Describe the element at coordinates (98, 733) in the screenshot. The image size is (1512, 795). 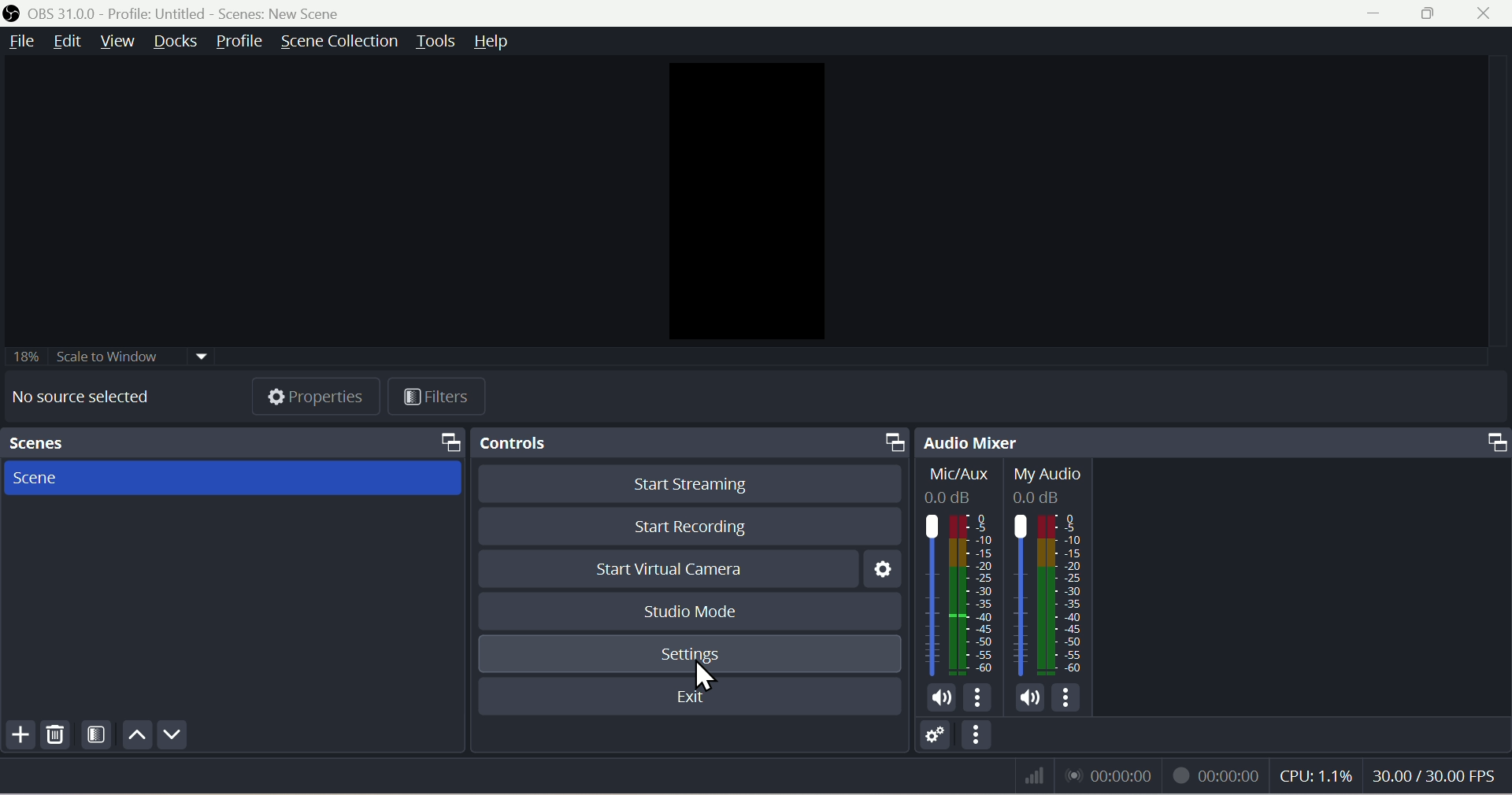
I see `Scene Filters` at that location.